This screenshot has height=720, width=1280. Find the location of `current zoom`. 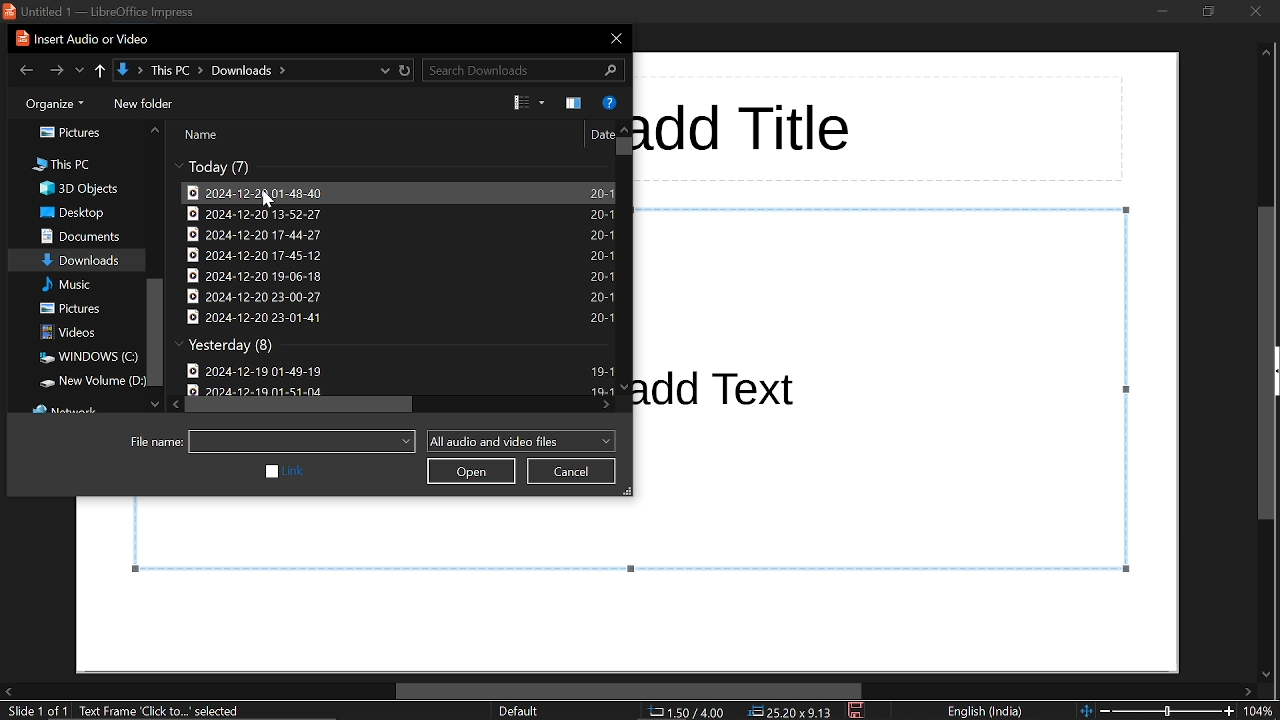

current zoom is located at coordinates (1262, 711).